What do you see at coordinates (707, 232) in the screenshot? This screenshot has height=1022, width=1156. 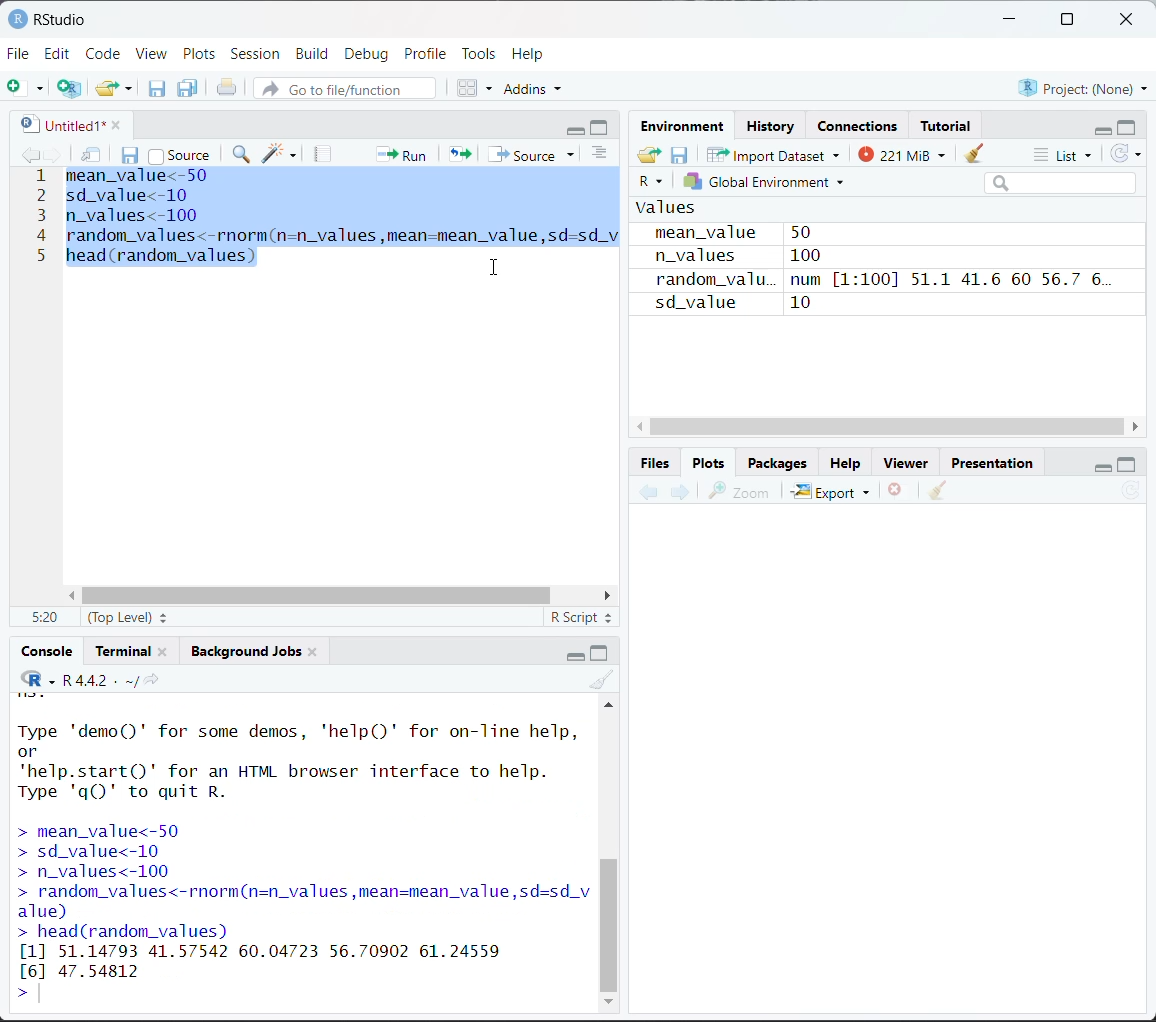 I see `mean_value` at bounding box center [707, 232].